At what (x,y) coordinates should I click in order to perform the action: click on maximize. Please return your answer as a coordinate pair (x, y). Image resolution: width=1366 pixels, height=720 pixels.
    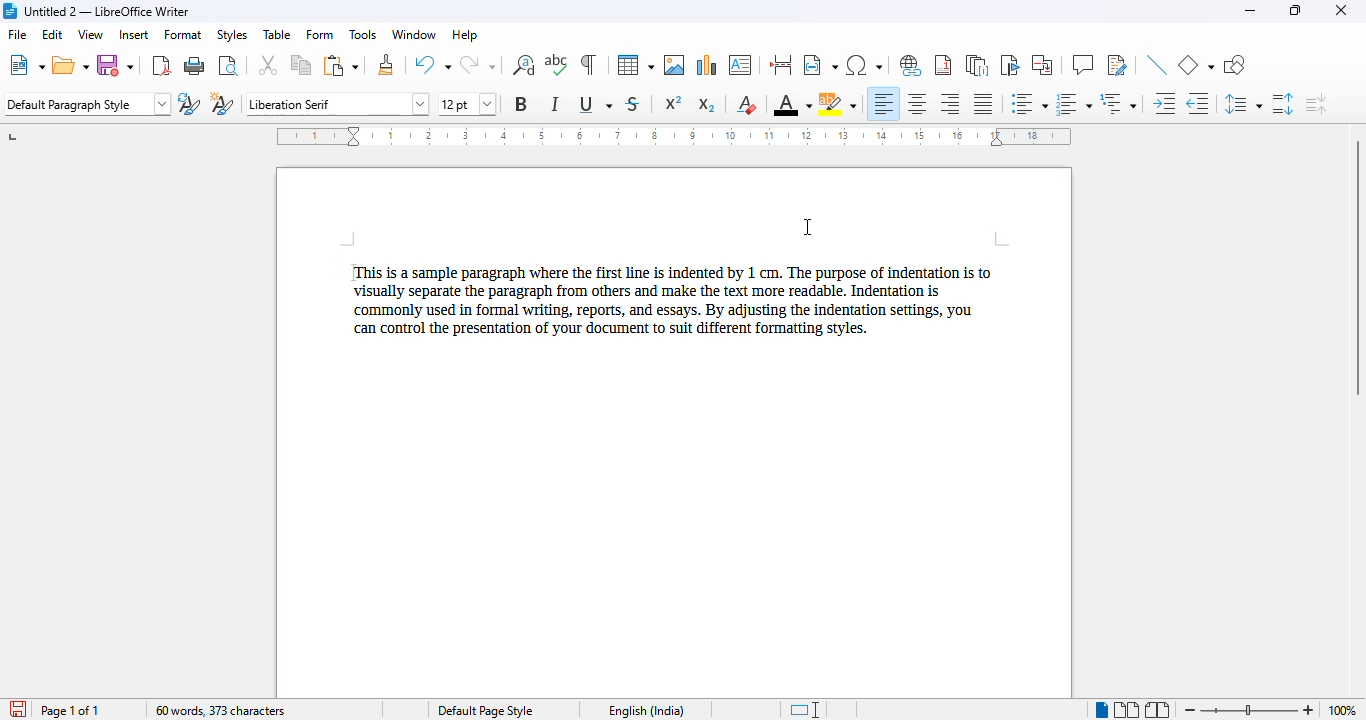
    Looking at the image, I should click on (1296, 11).